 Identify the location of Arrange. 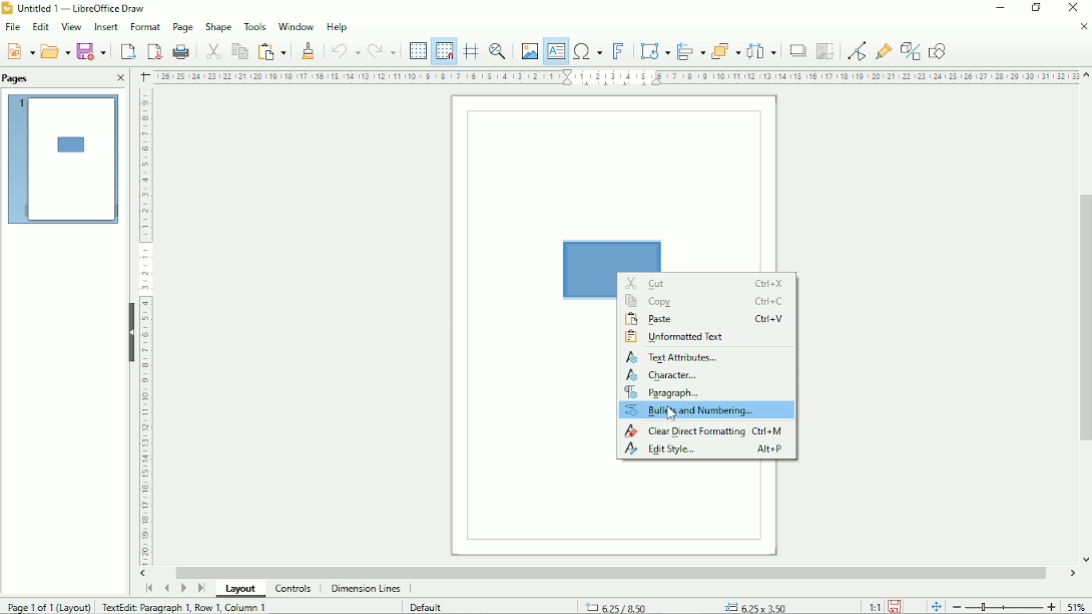
(725, 49).